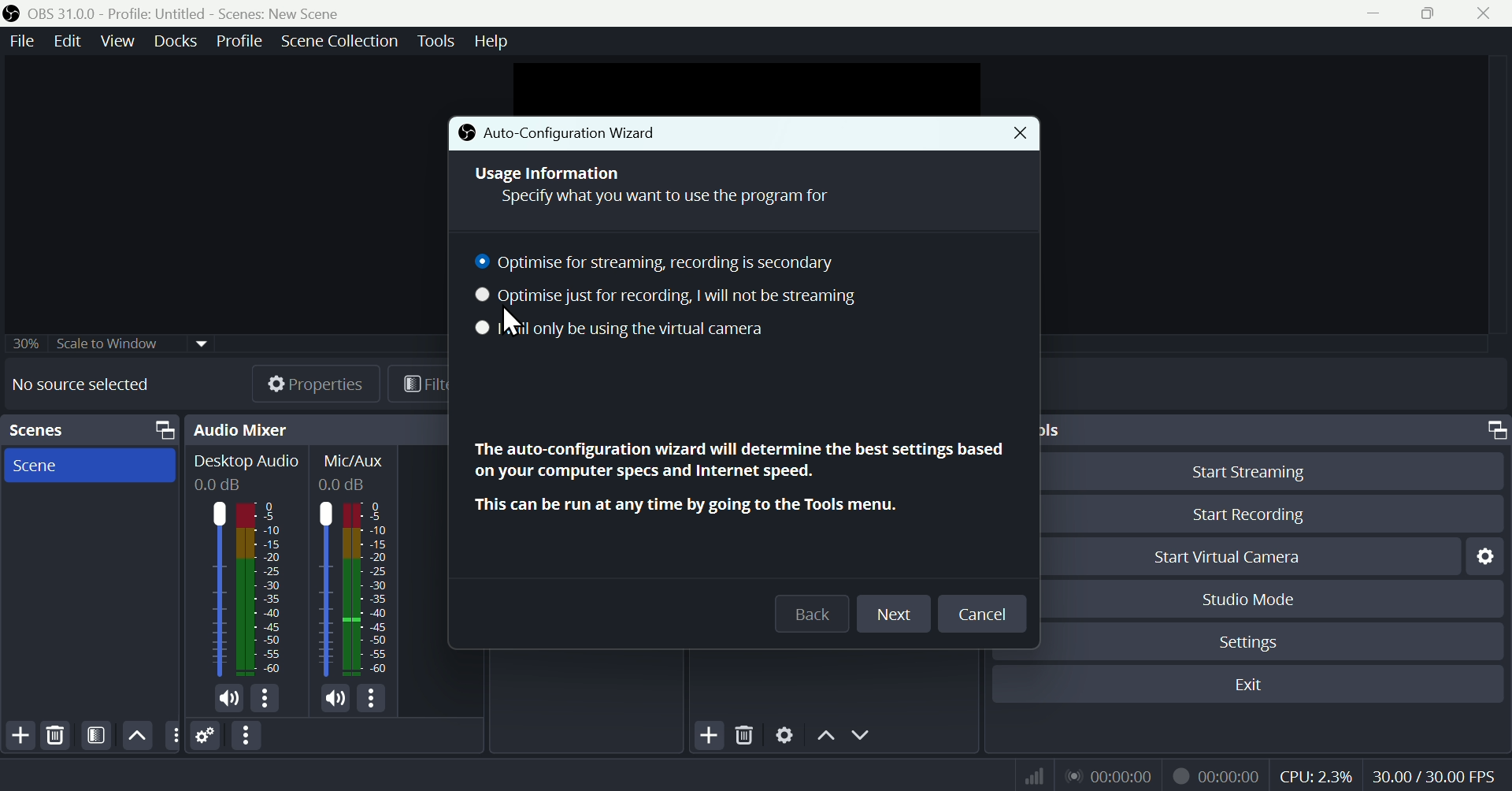 The image size is (1512, 791). What do you see at coordinates (23, 343) in the screenshot?
I see `30%` at bounding box center [23, 343].